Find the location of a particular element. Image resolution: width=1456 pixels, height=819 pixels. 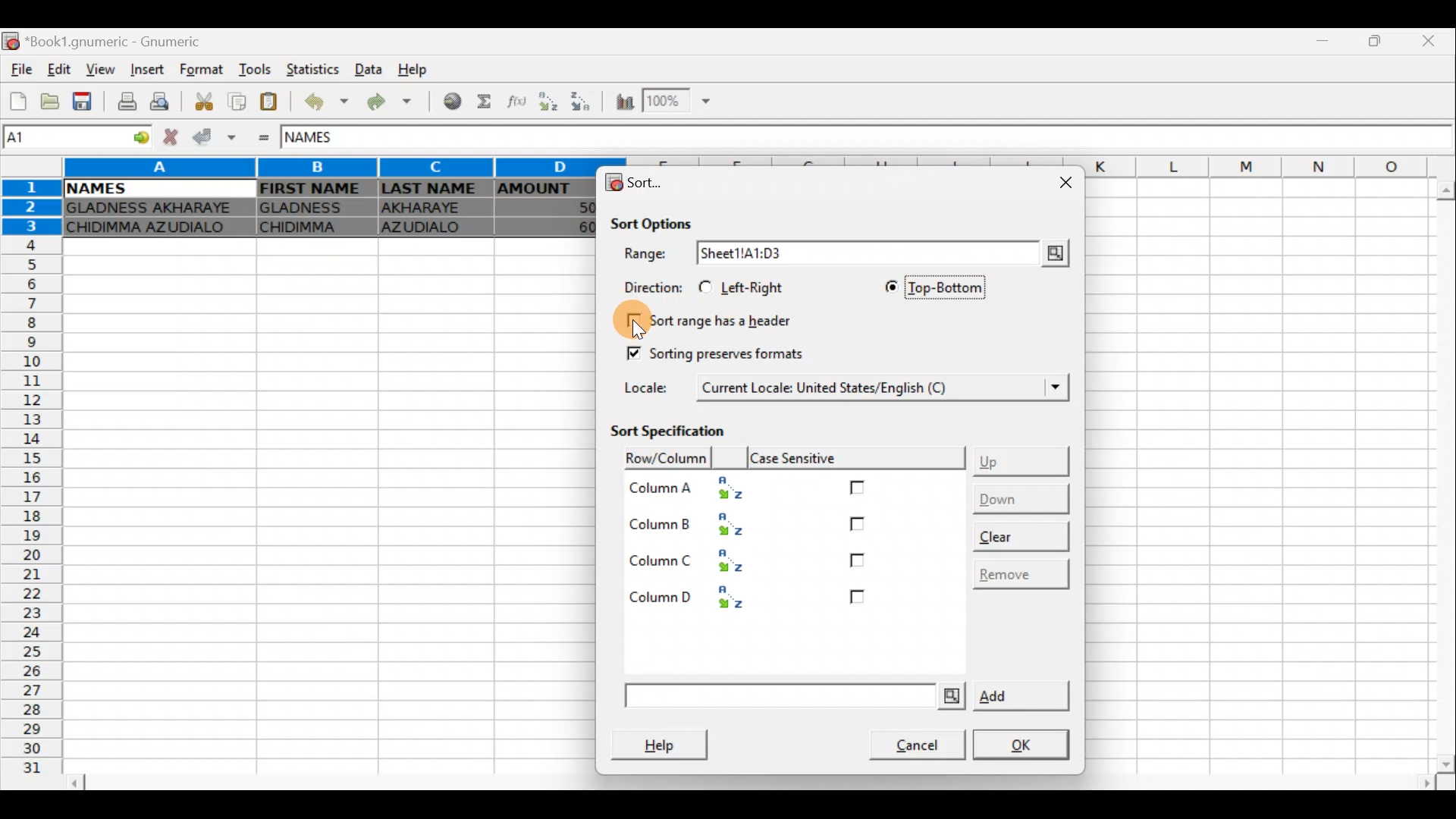

CHIDIMMA is located at coordinates (313, 227).